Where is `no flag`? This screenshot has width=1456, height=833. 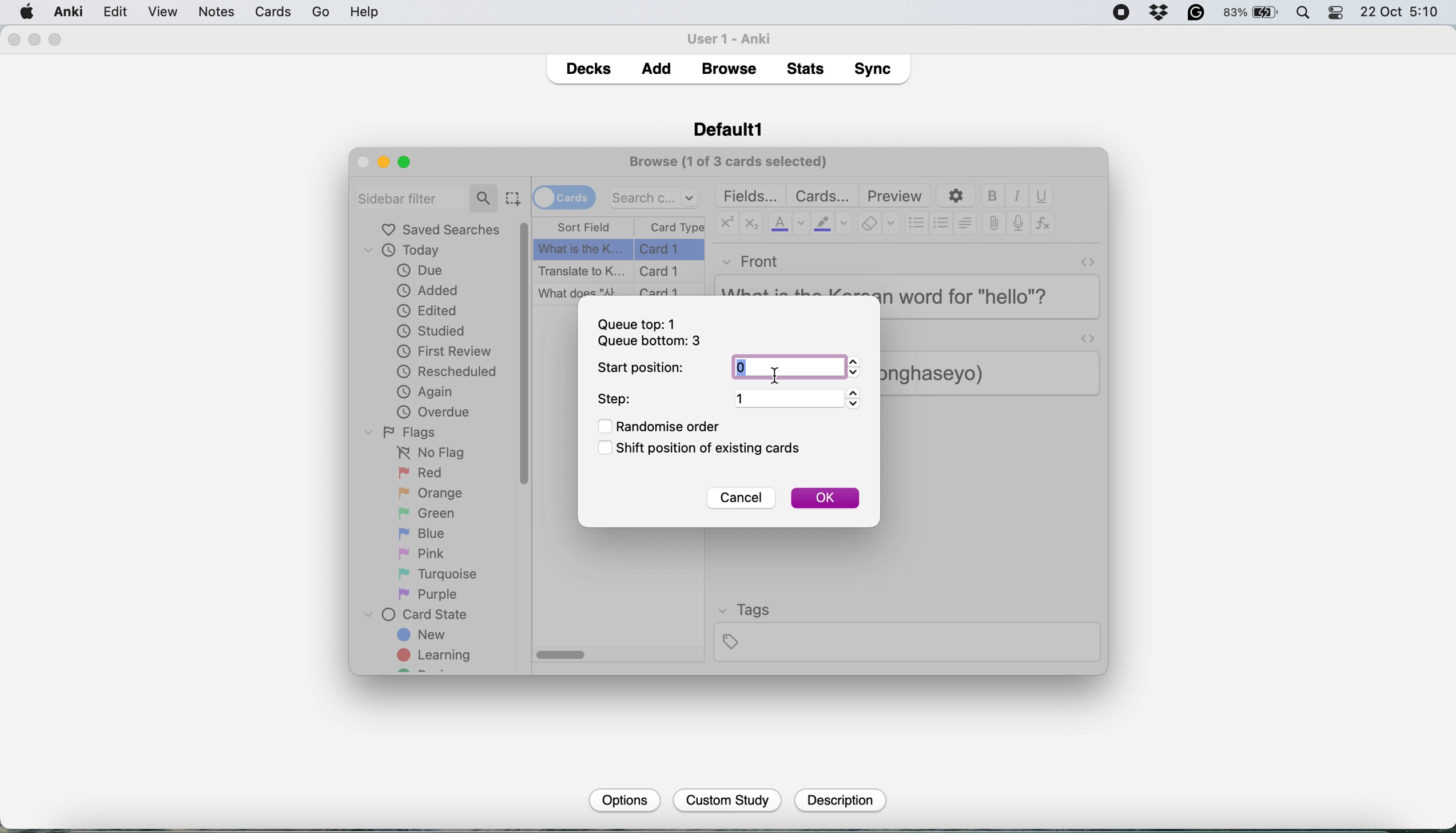 no flag is located at coordinates (428, 453).